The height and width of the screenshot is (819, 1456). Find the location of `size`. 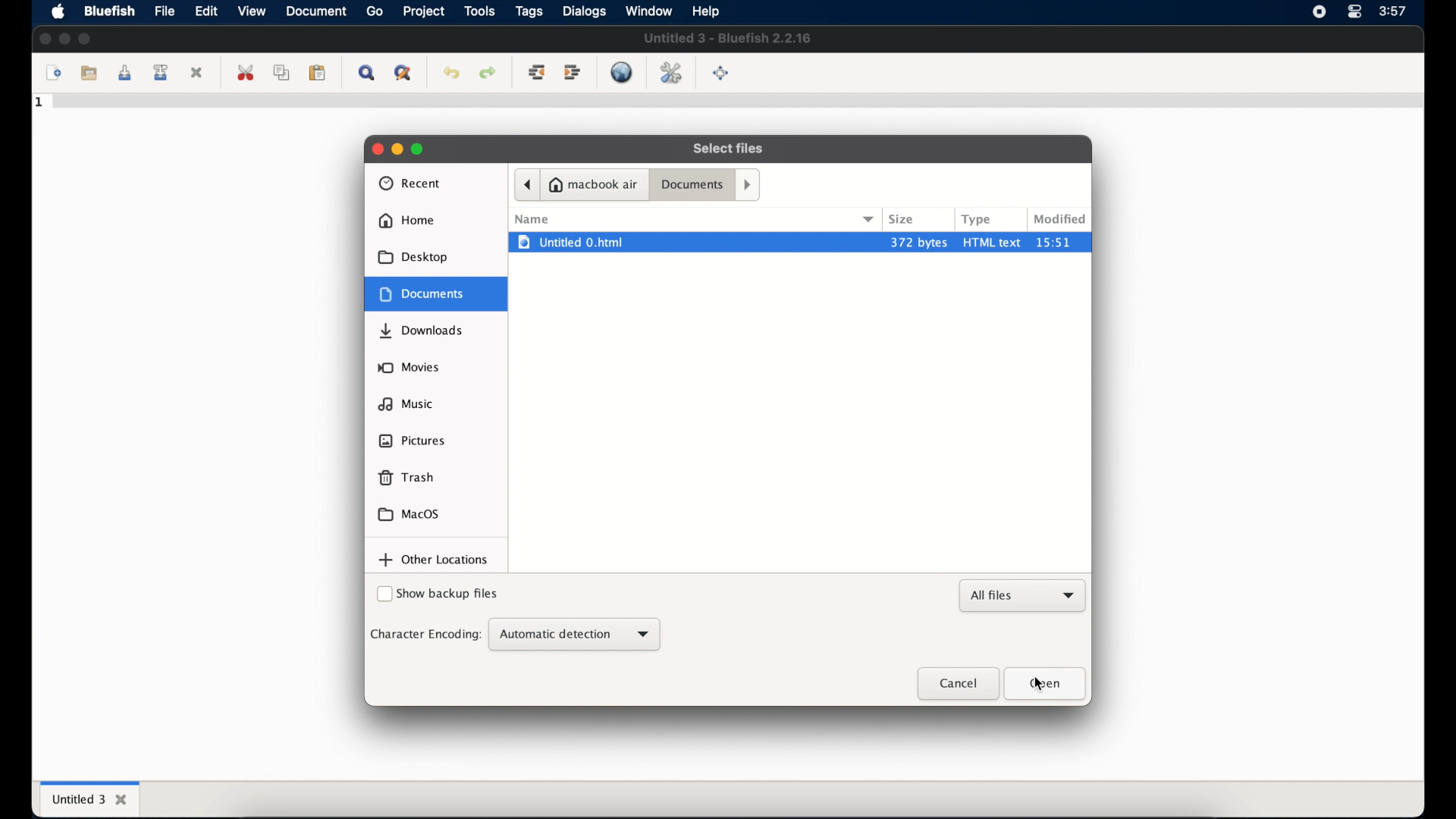

size is located at coordinates (902, 219).